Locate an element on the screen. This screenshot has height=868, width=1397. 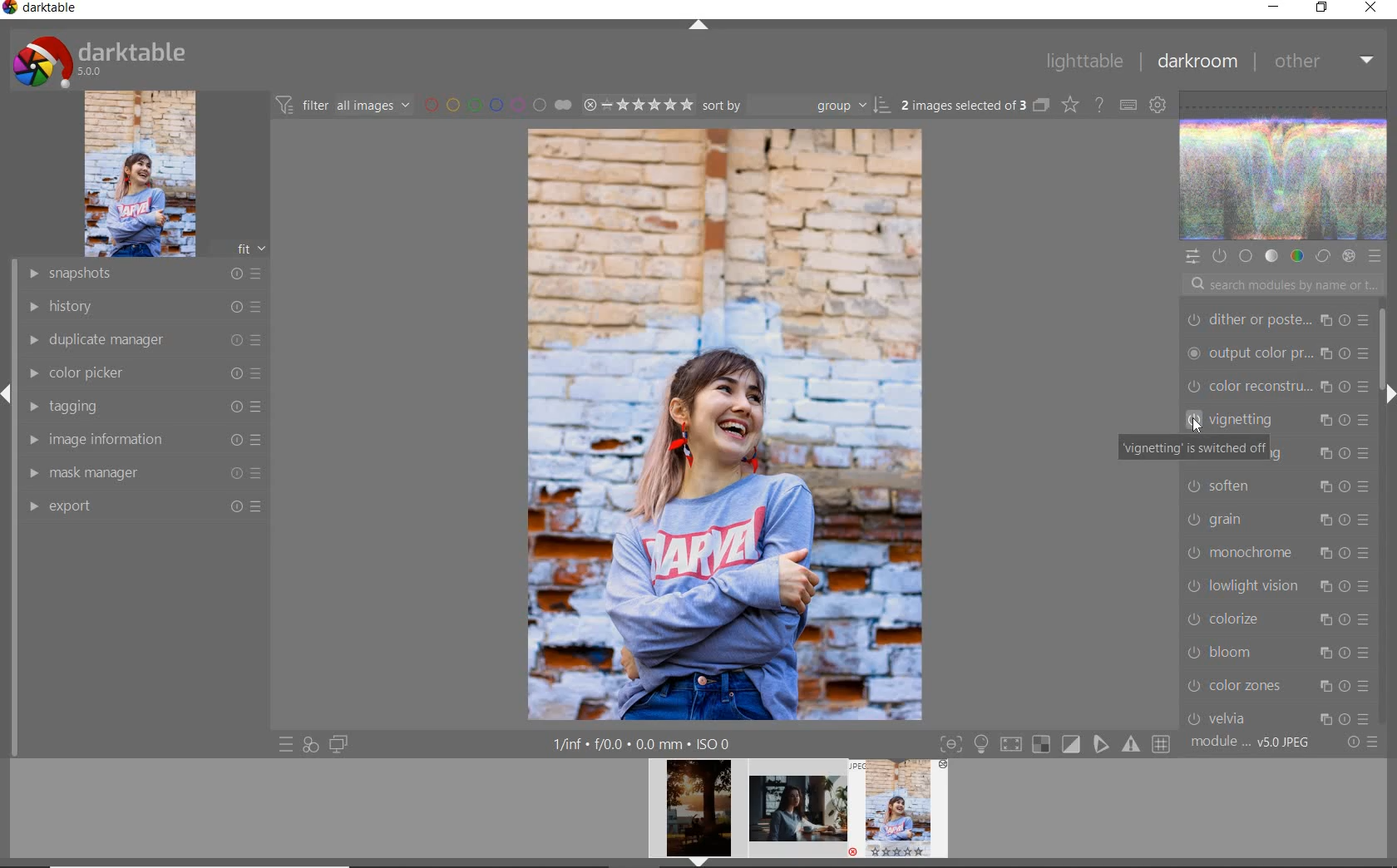
duplicate manager is located at coordinates (146, 340).